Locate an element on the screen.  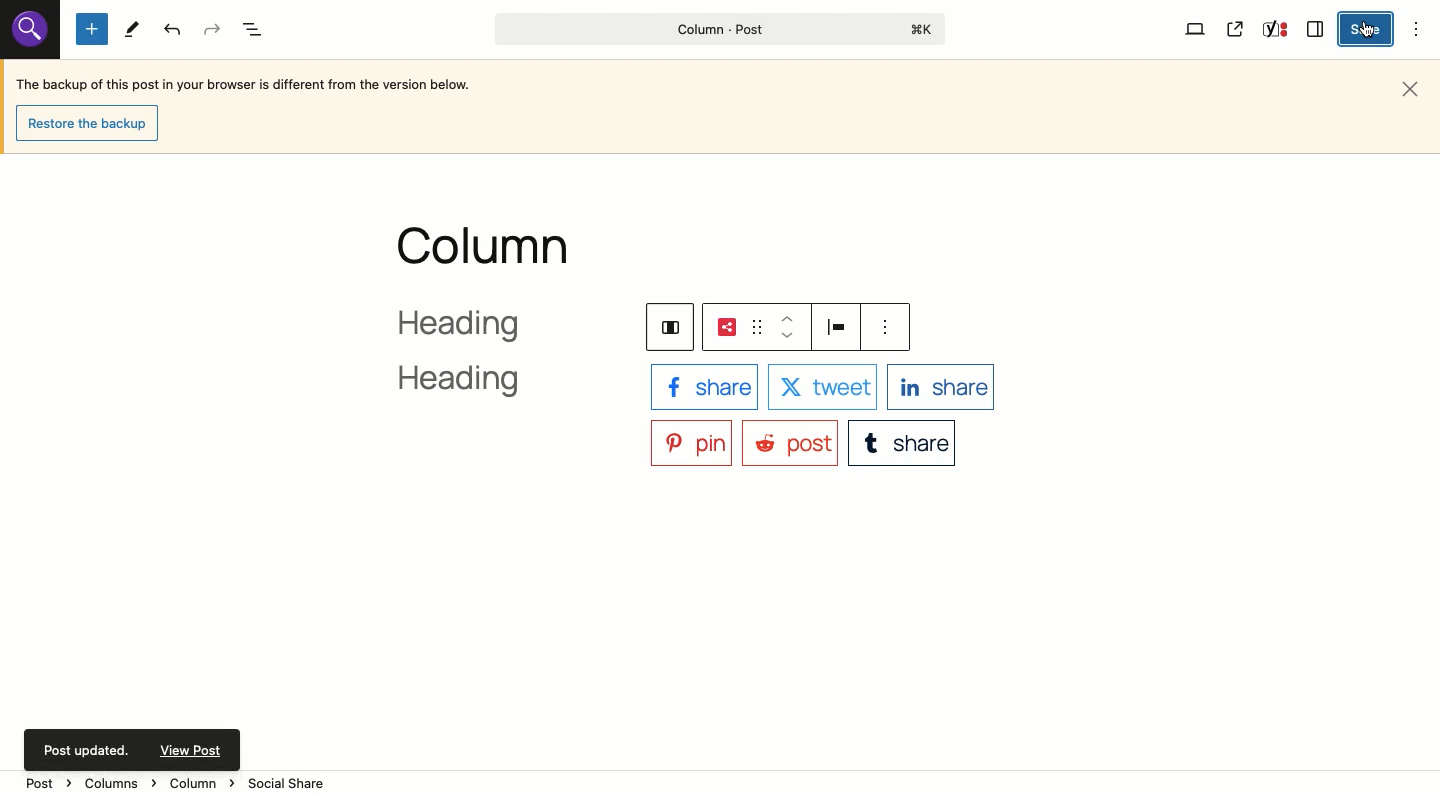
Linkedin is located at coordinates (941, 386).